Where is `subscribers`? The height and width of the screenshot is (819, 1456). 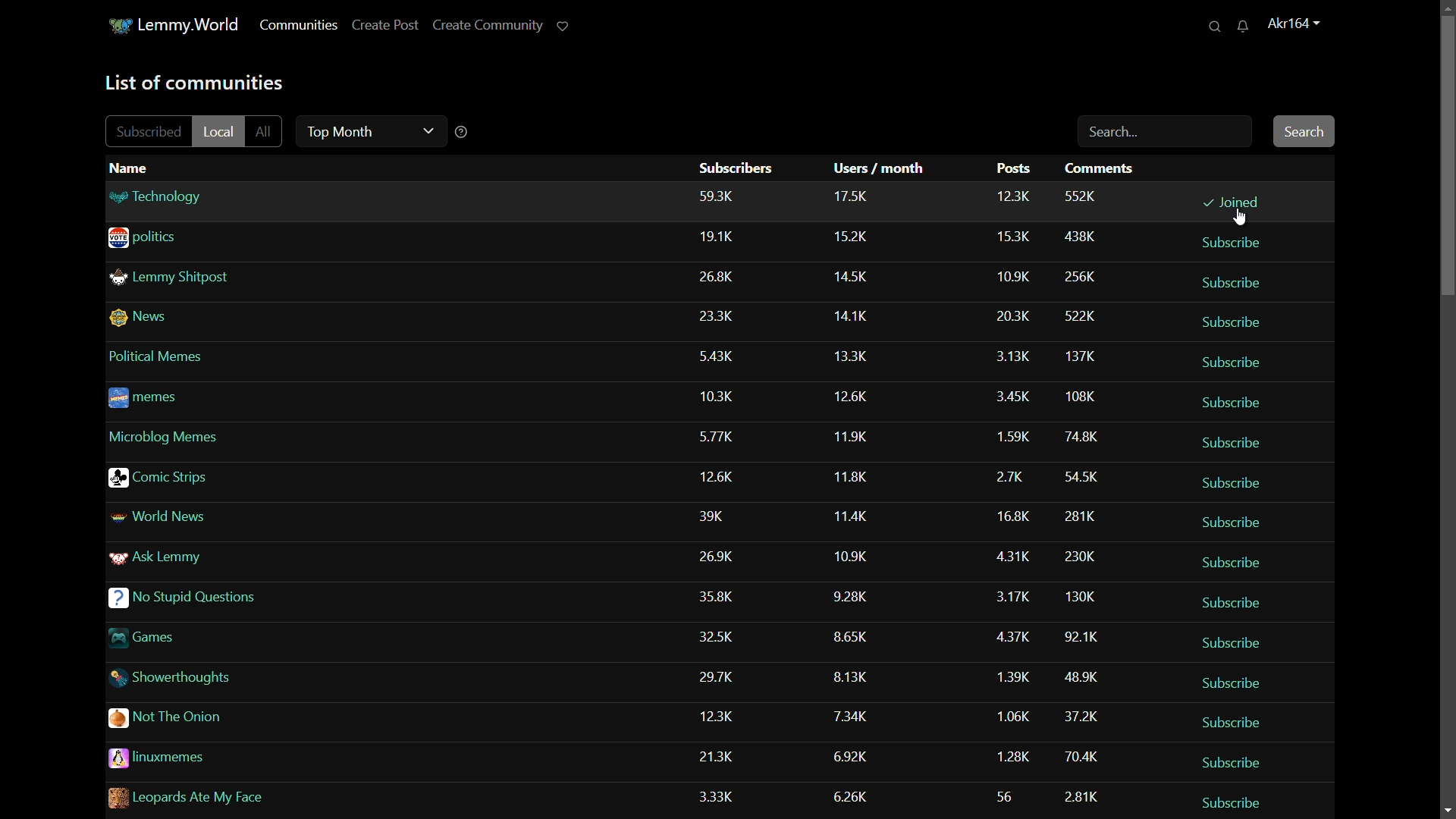
subscribers is located at coordinates (725, 679).